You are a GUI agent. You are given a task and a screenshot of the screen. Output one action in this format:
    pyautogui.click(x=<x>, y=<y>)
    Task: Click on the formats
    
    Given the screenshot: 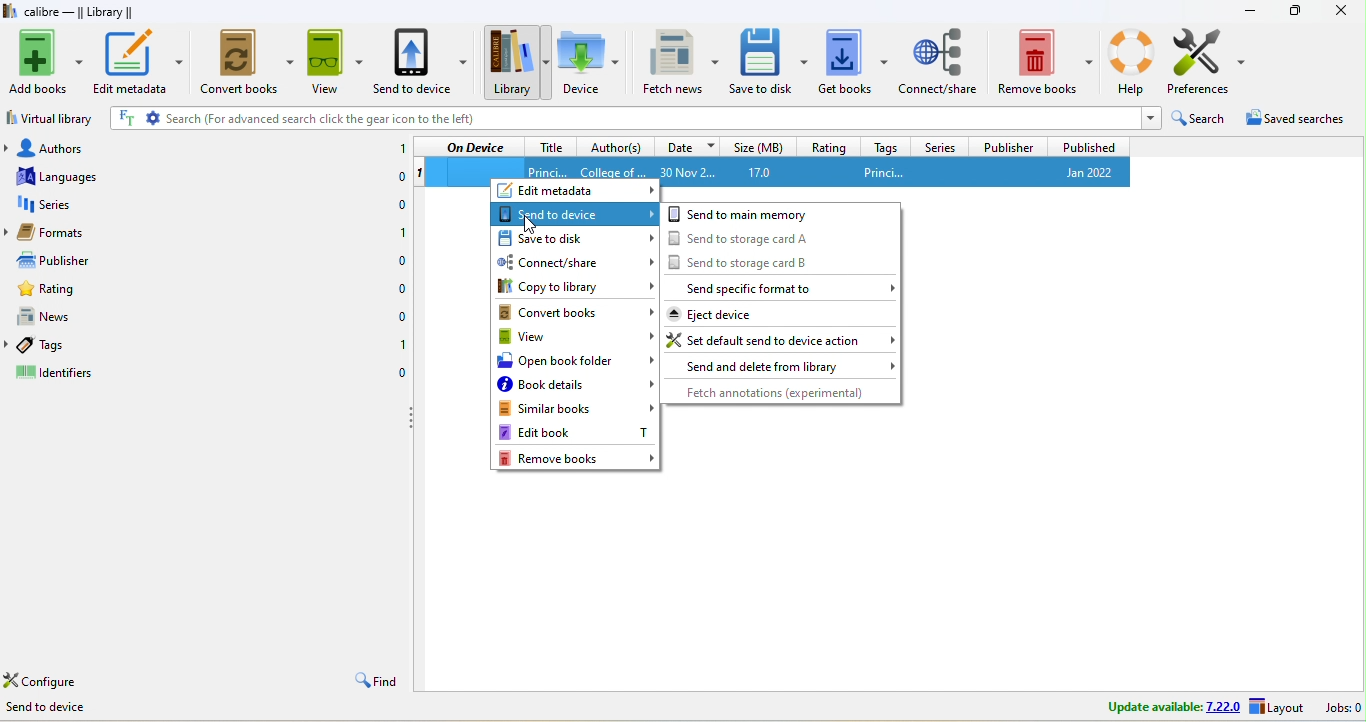 What is the action you would take?
    pyautogui.click(x=62, y=232)
    